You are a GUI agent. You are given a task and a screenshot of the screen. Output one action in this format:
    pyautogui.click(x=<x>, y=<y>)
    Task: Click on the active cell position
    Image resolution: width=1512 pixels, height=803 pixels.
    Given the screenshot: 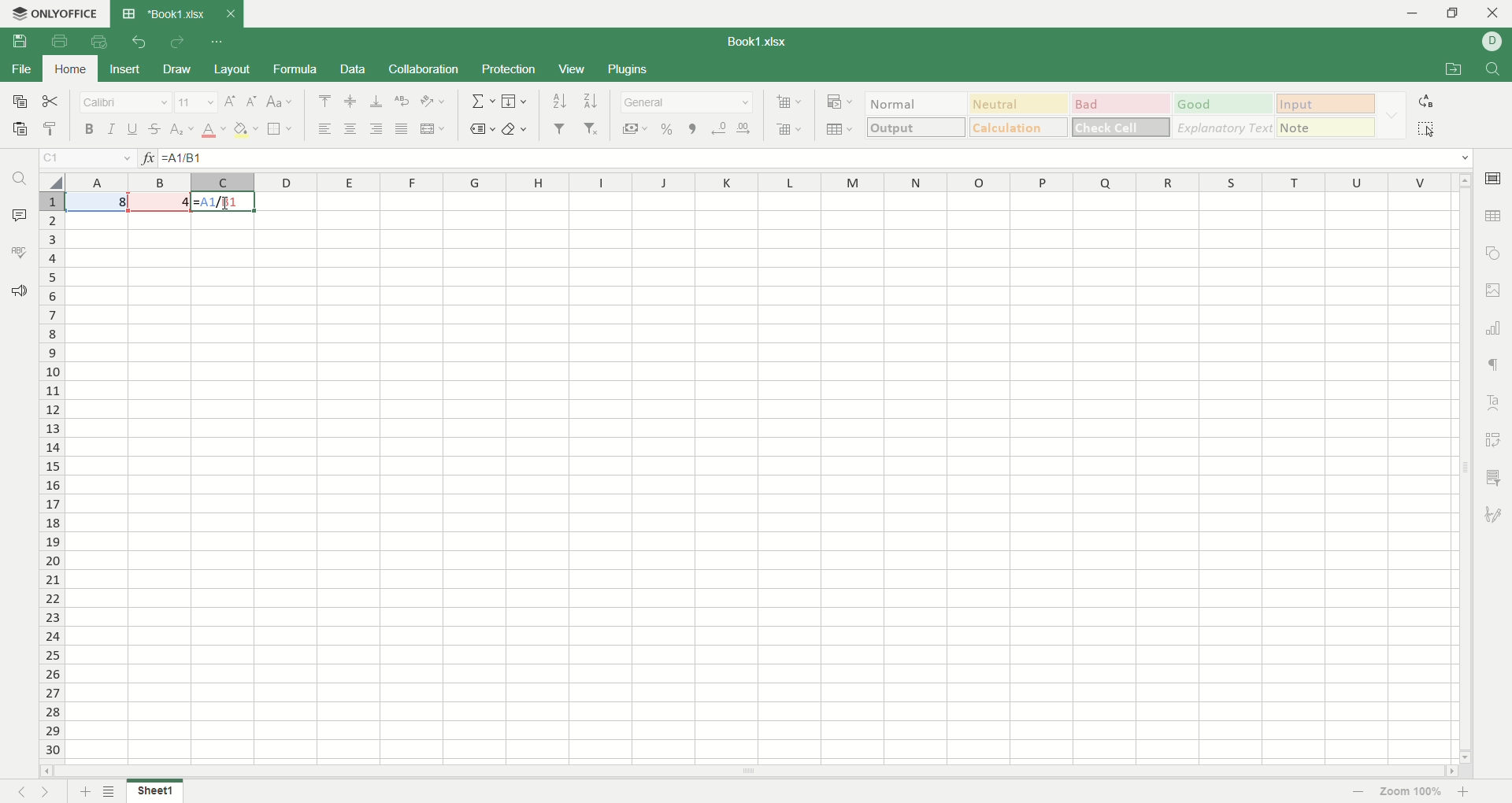 What is the action you would take?
    pyautogui.click(x=89, y=158)
    